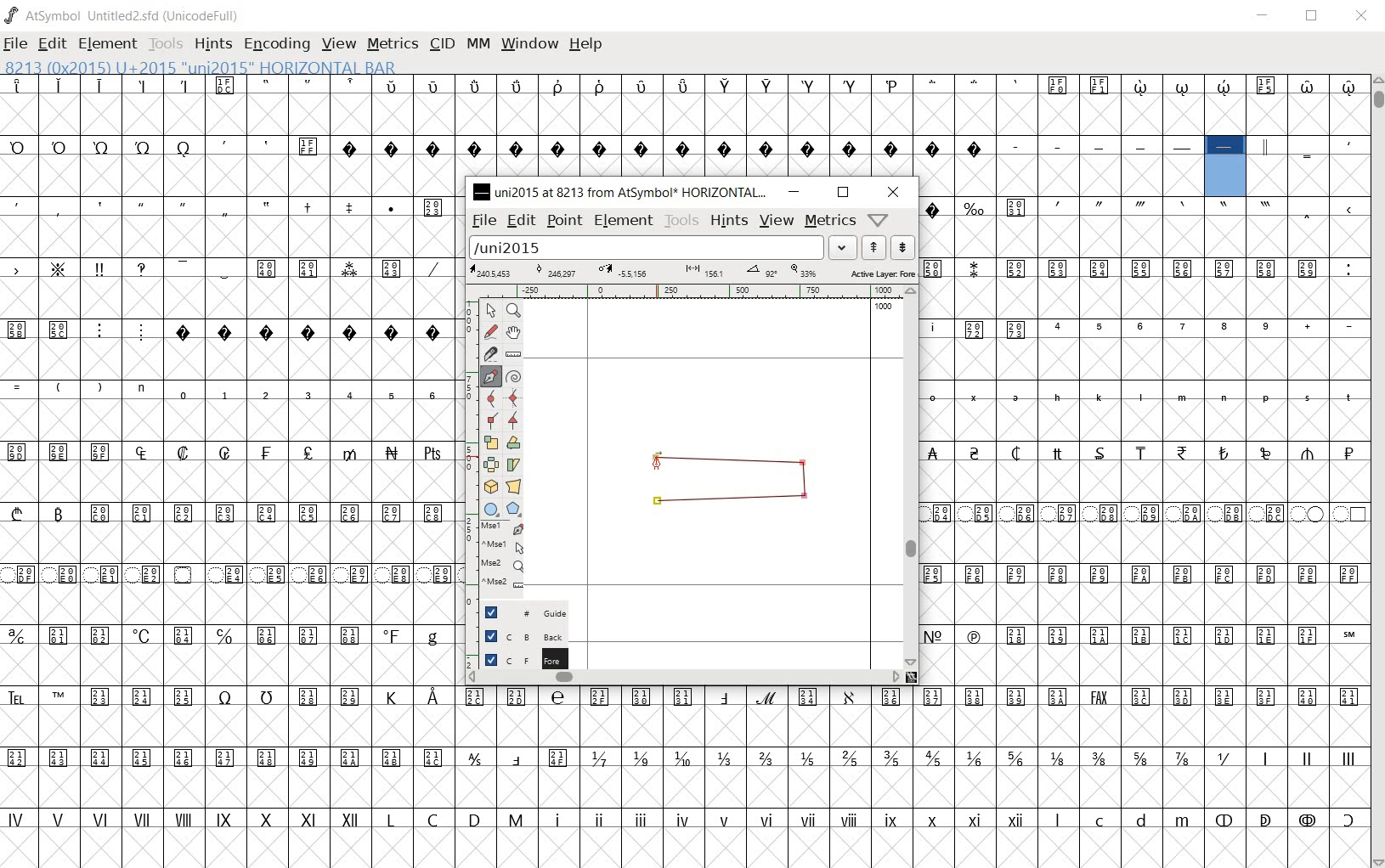  What do you see at coordinates (1145, 440) in the screenshot?
I see `glyph characters` at bounding box center [1145, 440].